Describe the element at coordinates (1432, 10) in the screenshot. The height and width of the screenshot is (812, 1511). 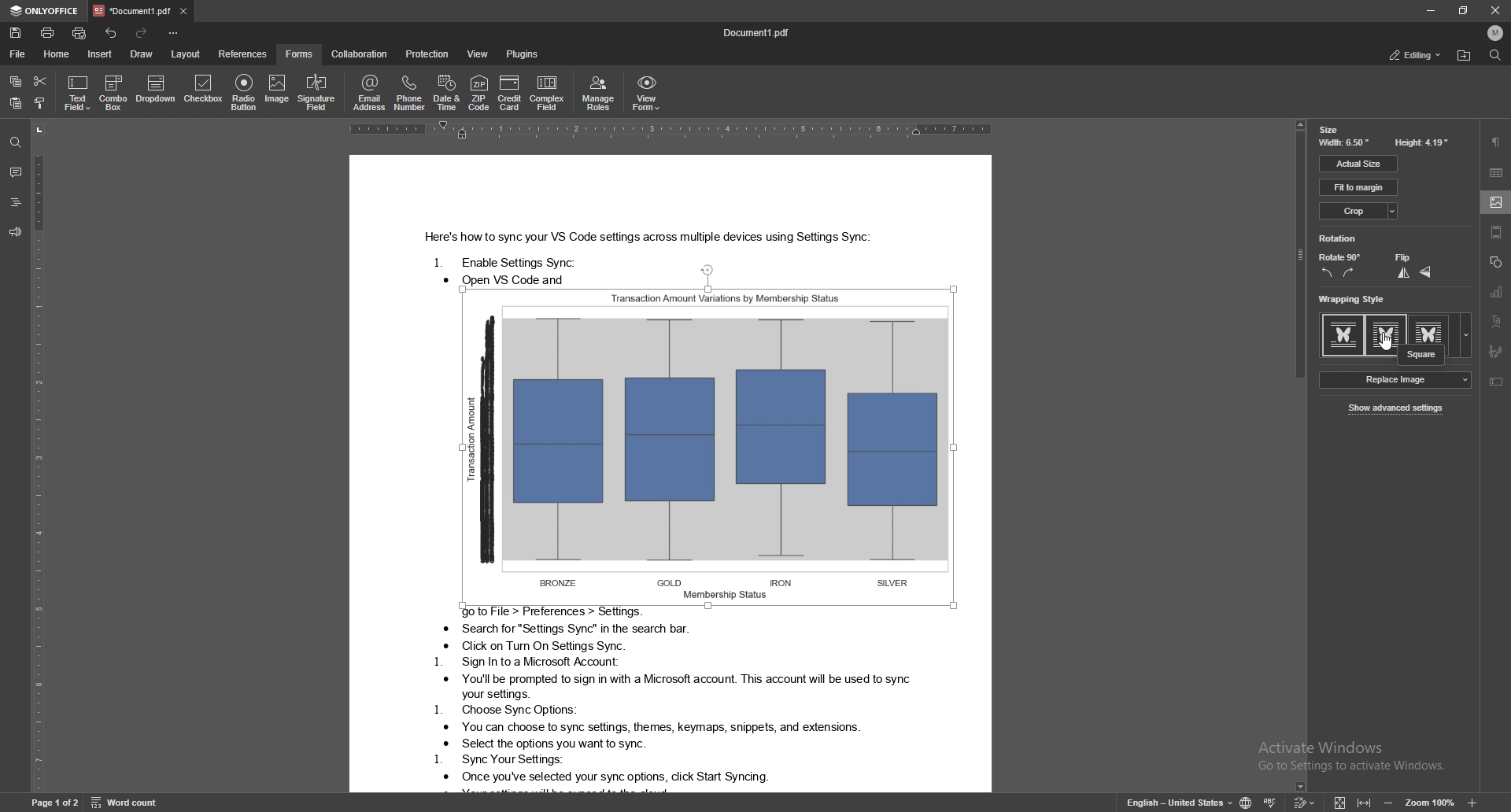
I see `minimize` at that location.